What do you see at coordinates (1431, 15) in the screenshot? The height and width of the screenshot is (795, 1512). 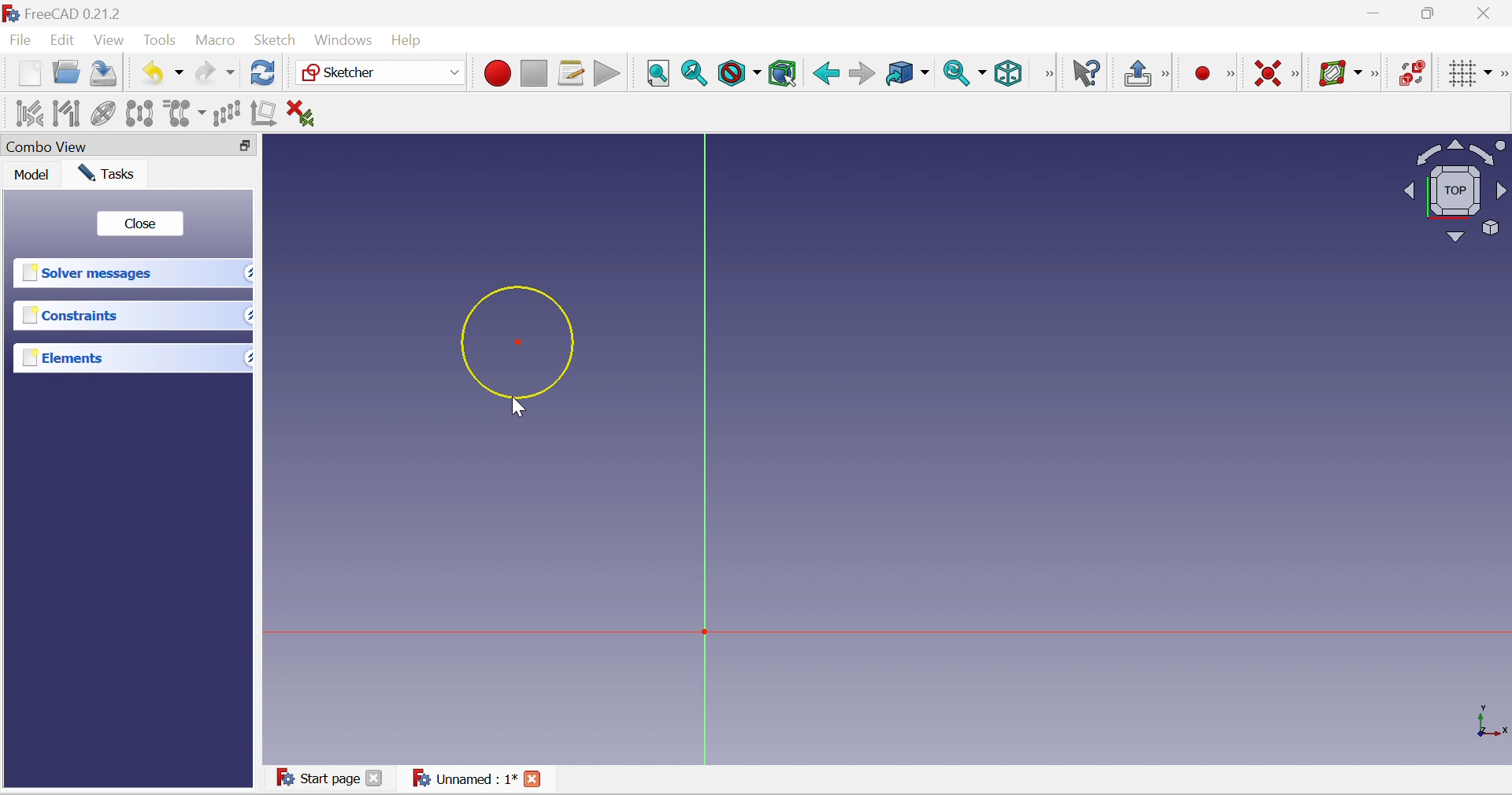 I see `Restore down` at bounding box center [1431, 15].